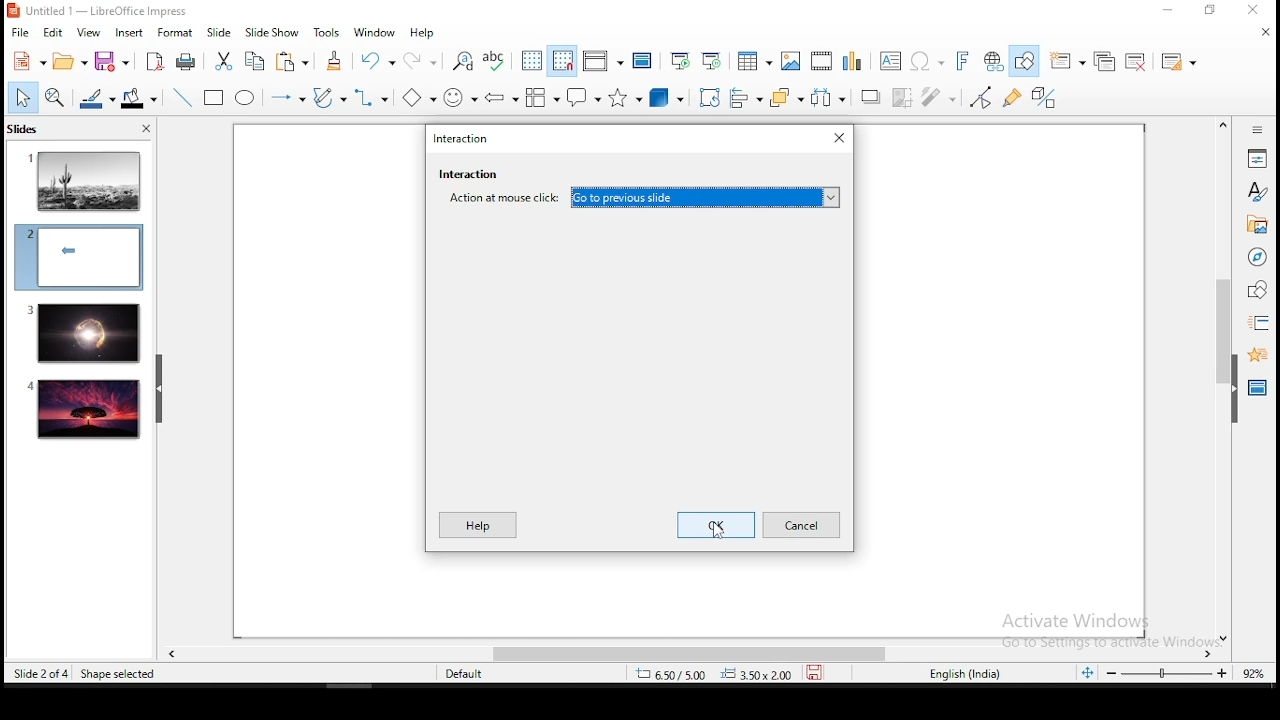 This screenshot has width=1280, height=720. I want to click on file, so click(20, 33).